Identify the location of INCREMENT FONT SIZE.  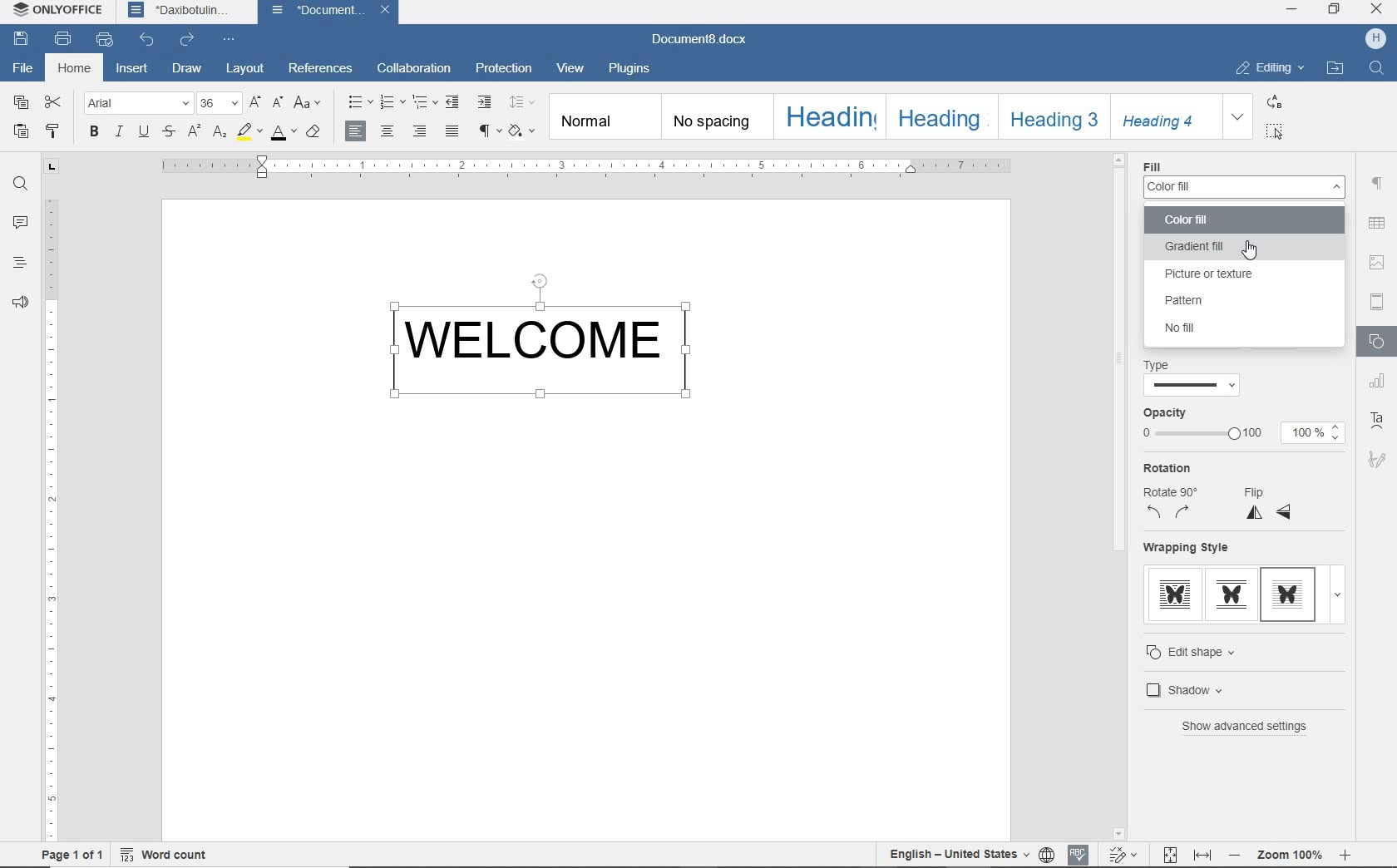
(256, 104).